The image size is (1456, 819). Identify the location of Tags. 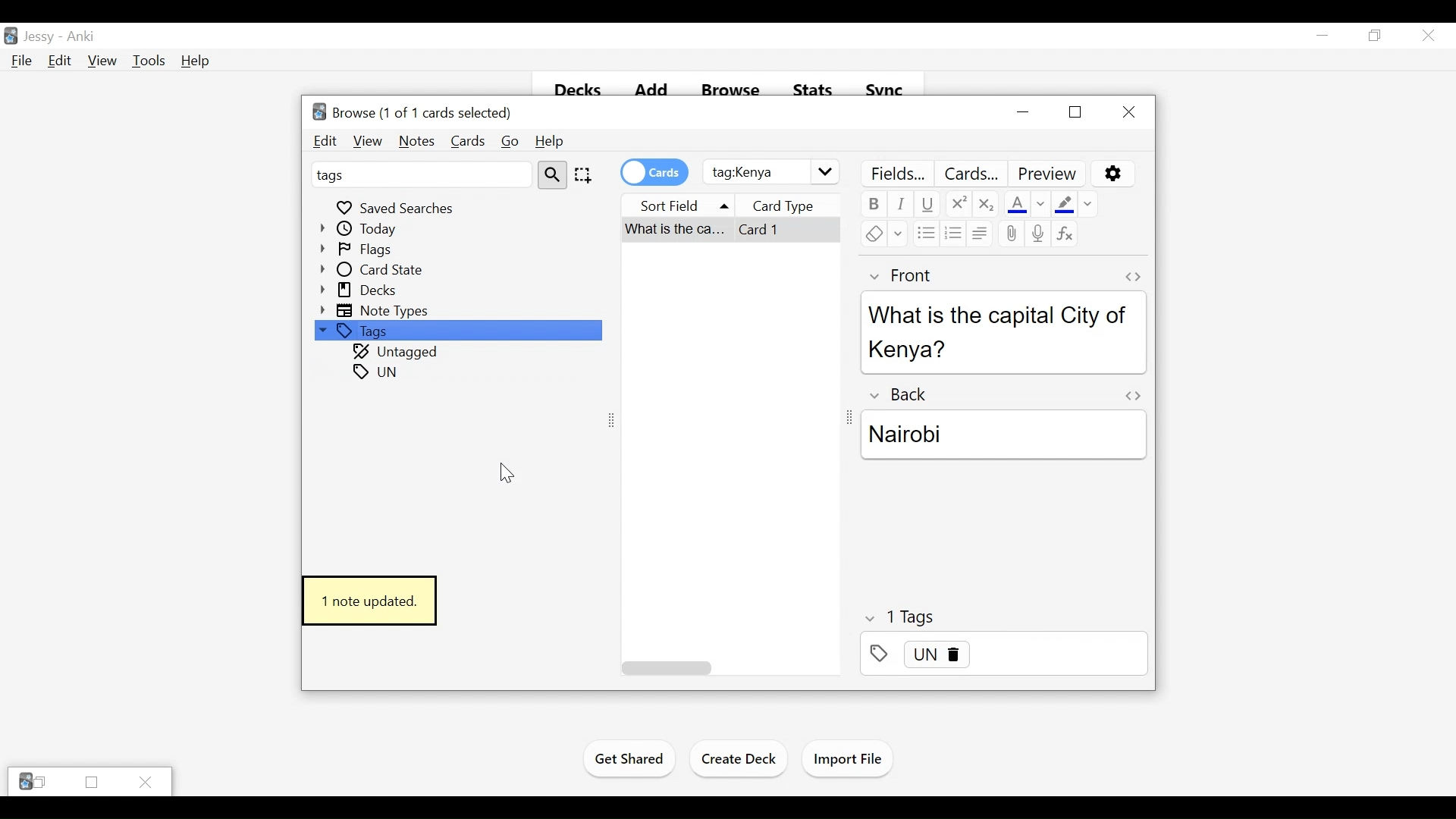
(457, 331).